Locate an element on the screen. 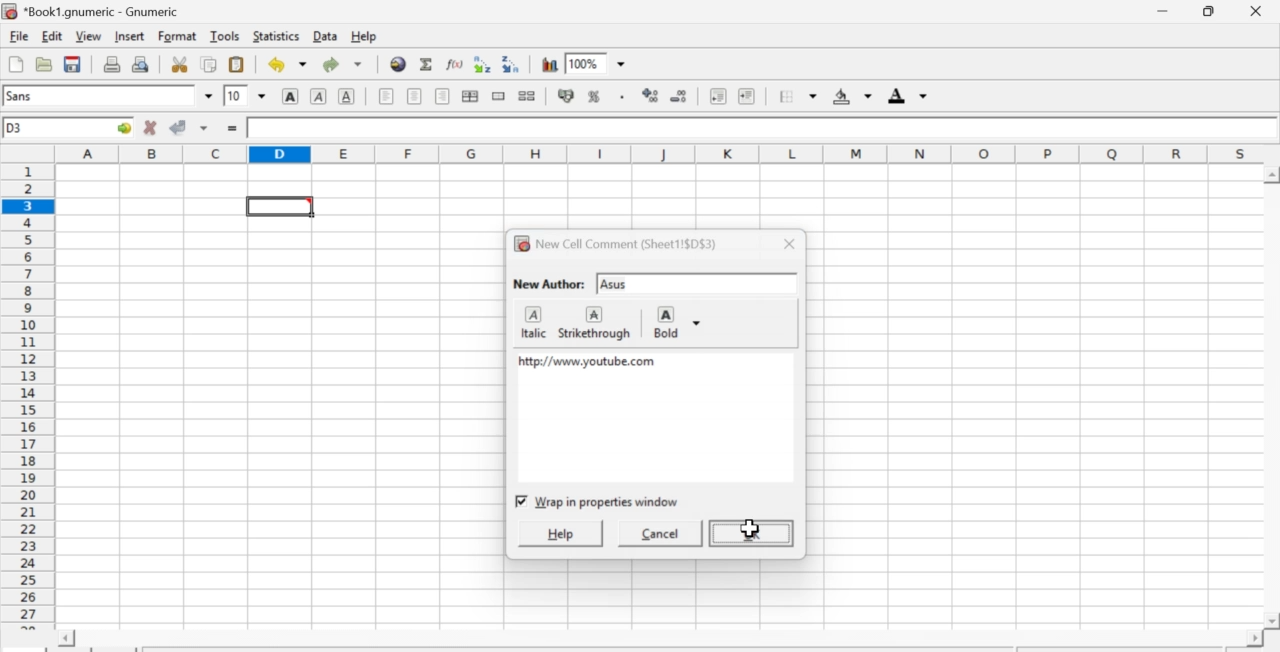 This screenshot has width=1280, height=652. strikethrough is located at coordinates (597, 323).